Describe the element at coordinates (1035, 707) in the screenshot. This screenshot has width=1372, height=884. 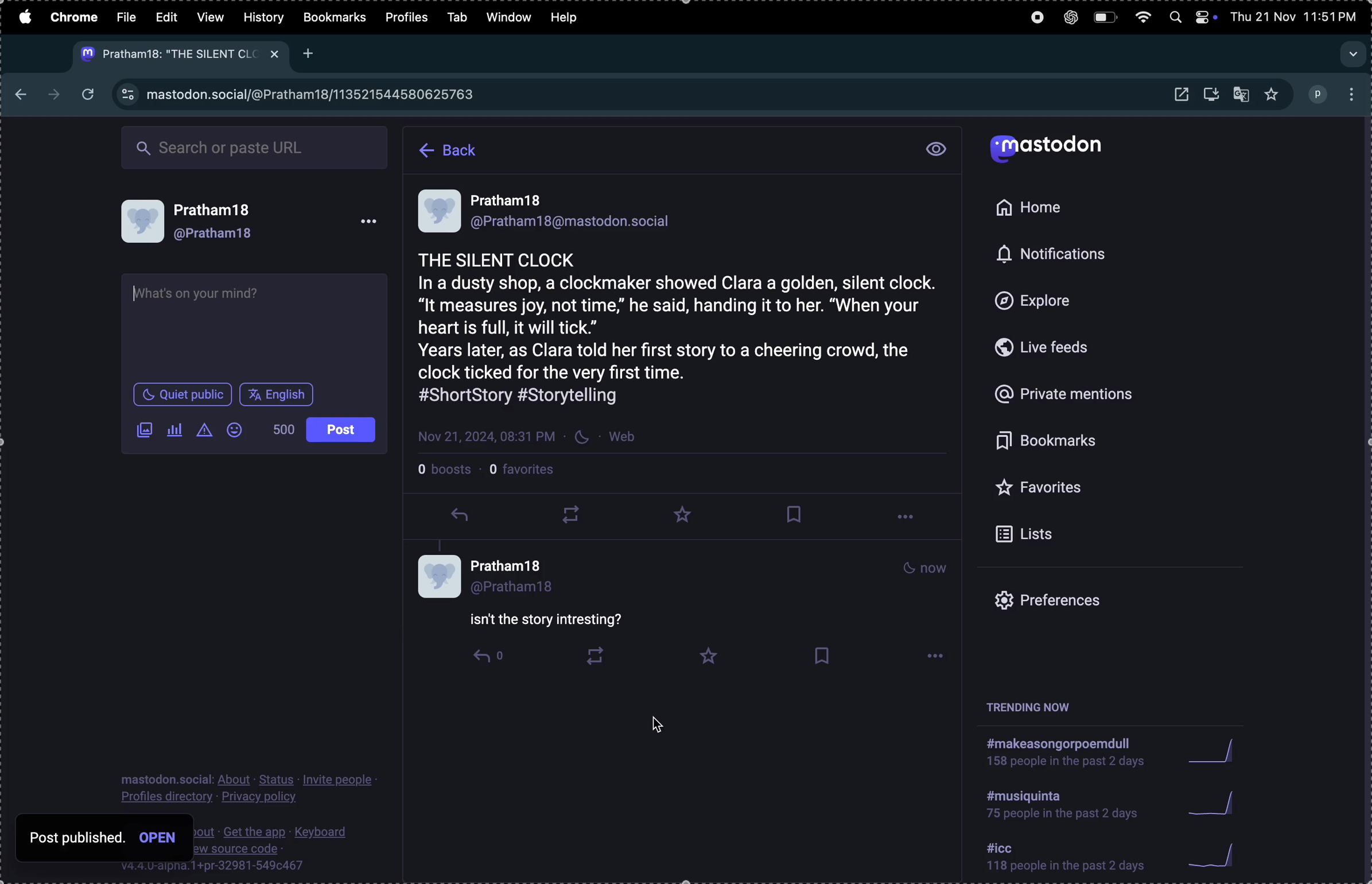
I see `trending now` at that location.